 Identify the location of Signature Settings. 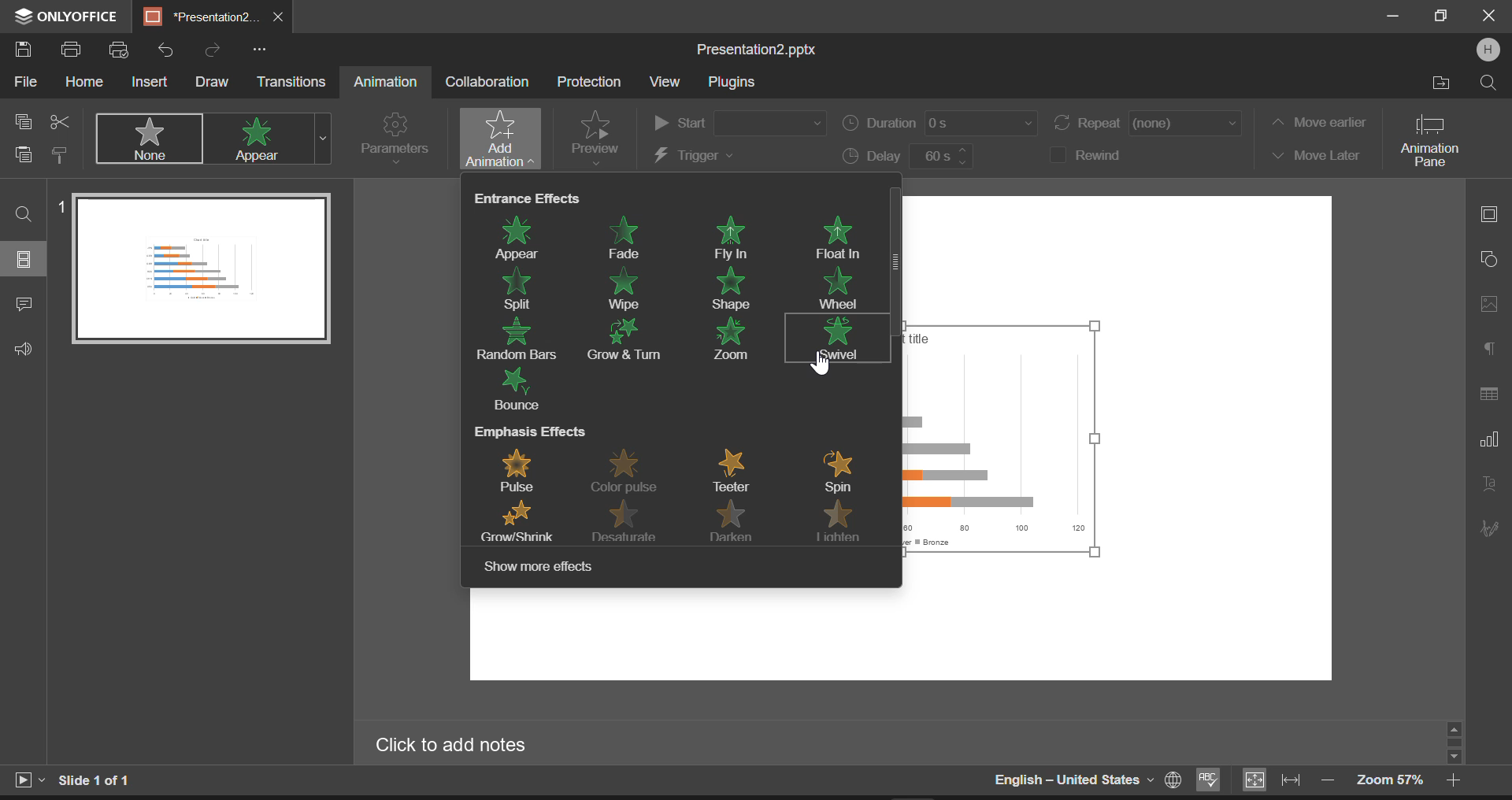
(1488, 528).